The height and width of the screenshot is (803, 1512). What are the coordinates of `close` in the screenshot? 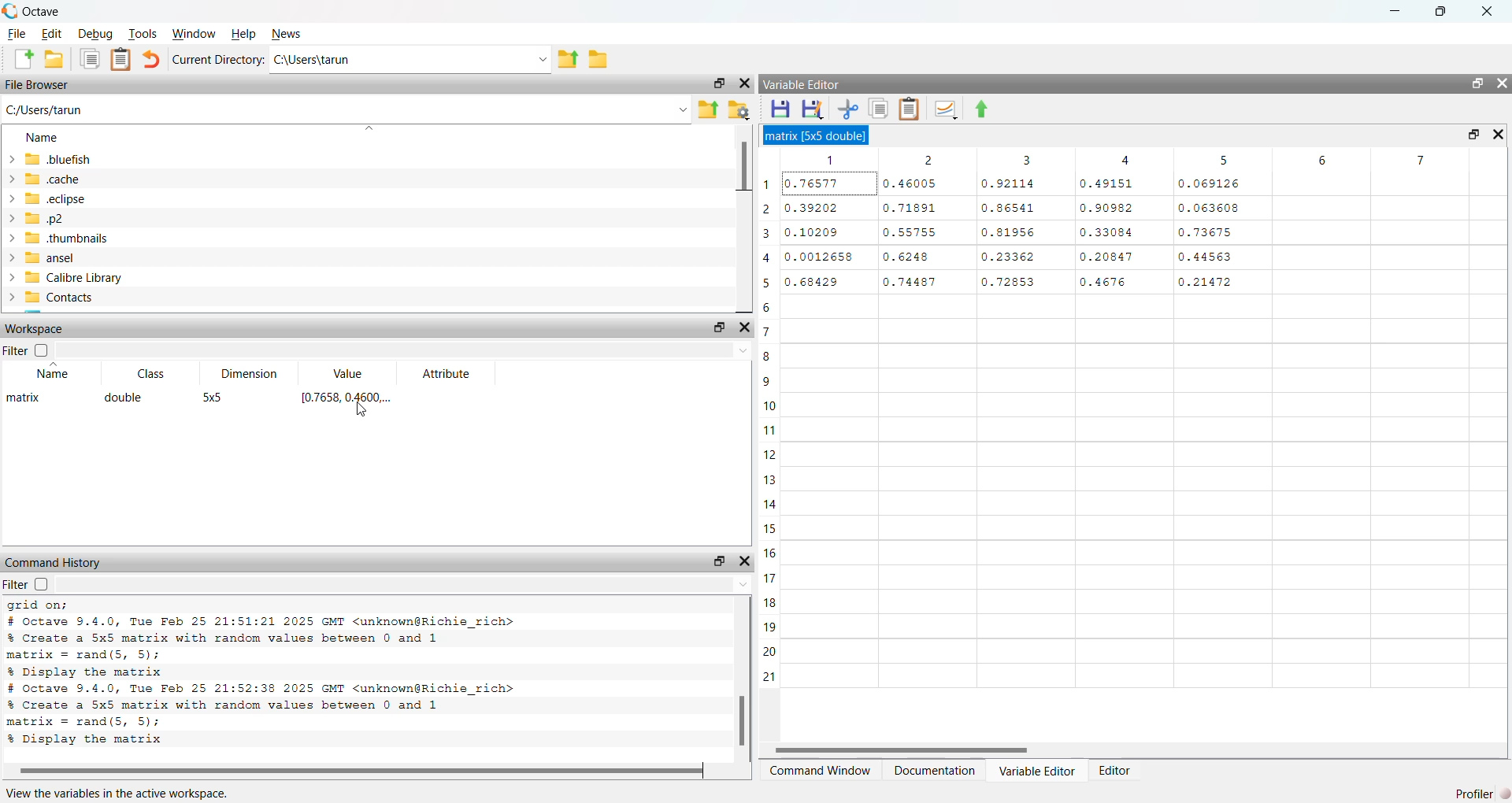 It's located at (748, 327).